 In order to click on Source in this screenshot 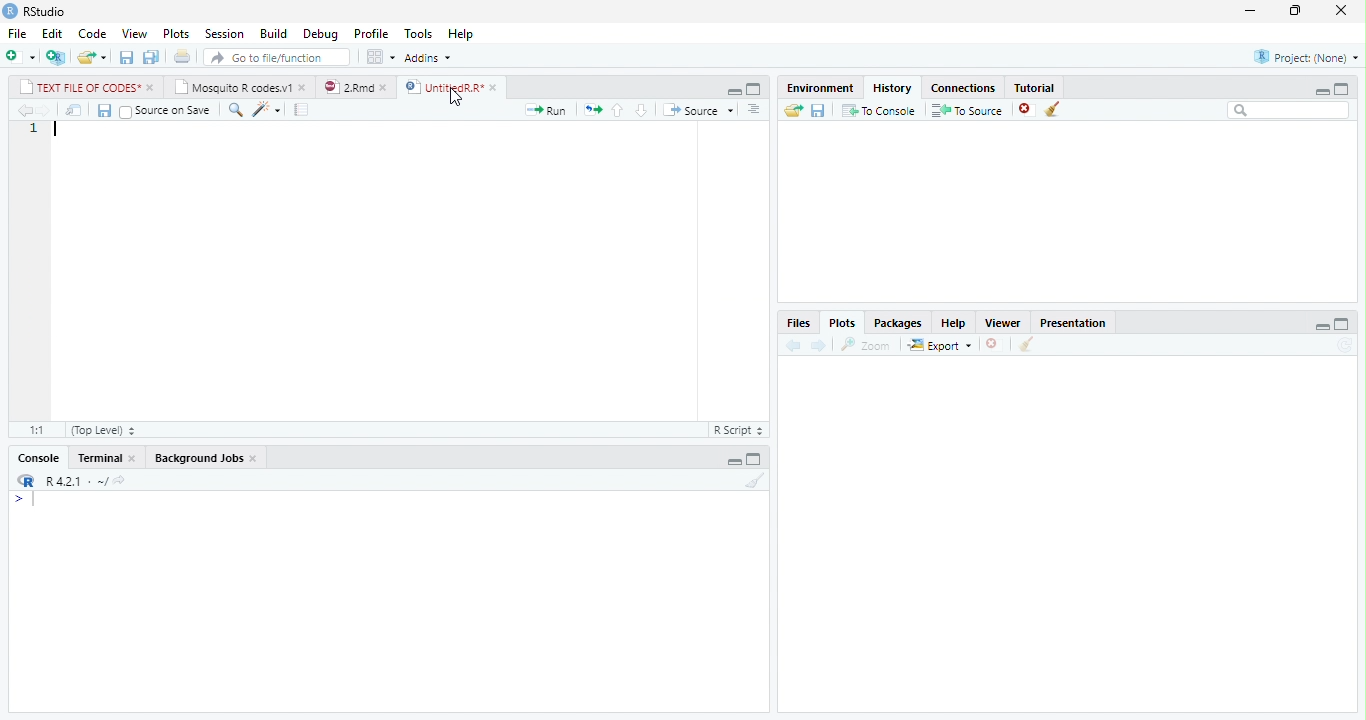, I will do `click(697, 110)`.